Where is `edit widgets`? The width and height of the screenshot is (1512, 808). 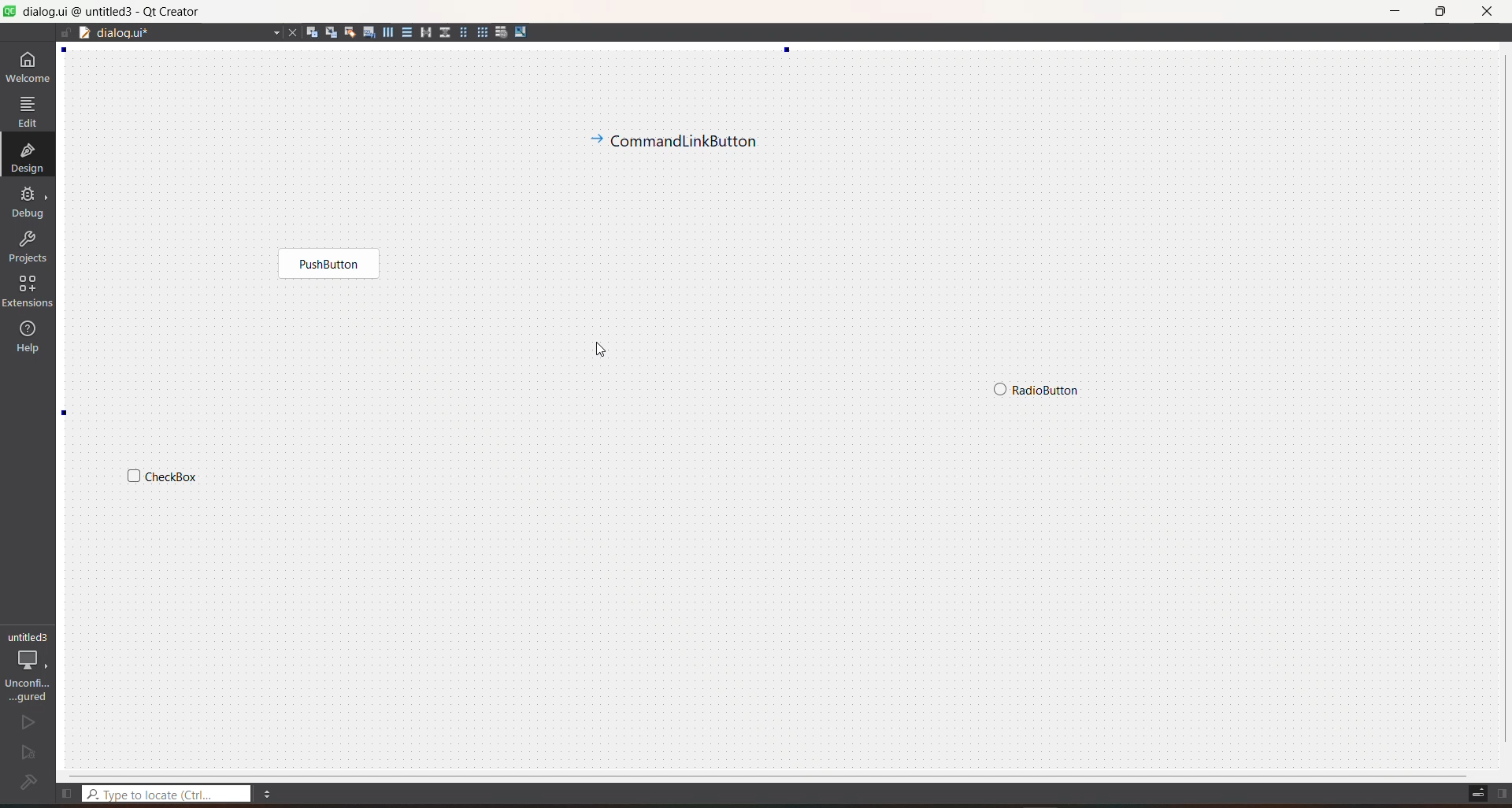 edit widgets is located at coordinates (312, 32).